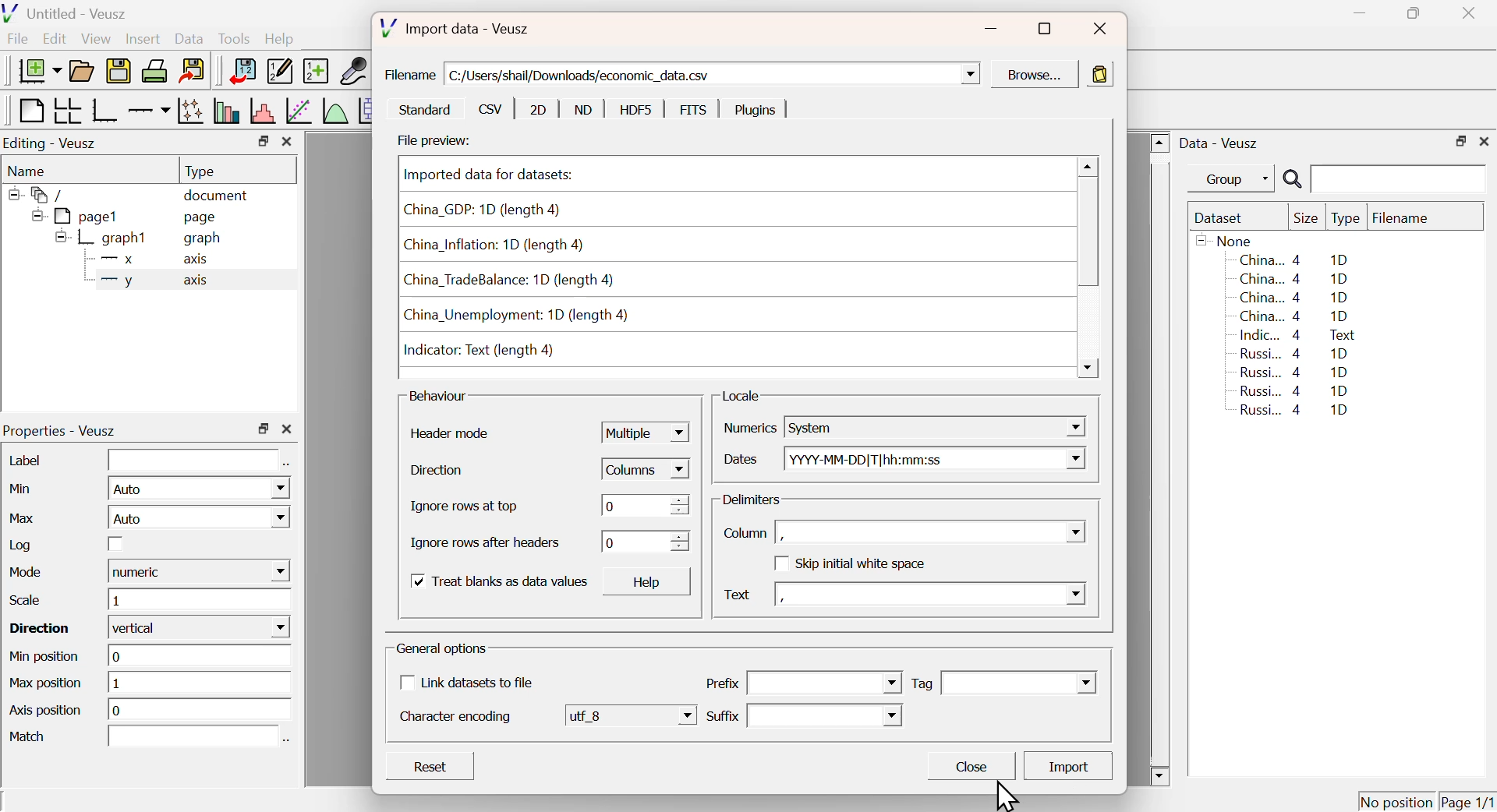 This screenshot has height=812, width=1497. I want to click on Export to graphics format, so click(193, 69).